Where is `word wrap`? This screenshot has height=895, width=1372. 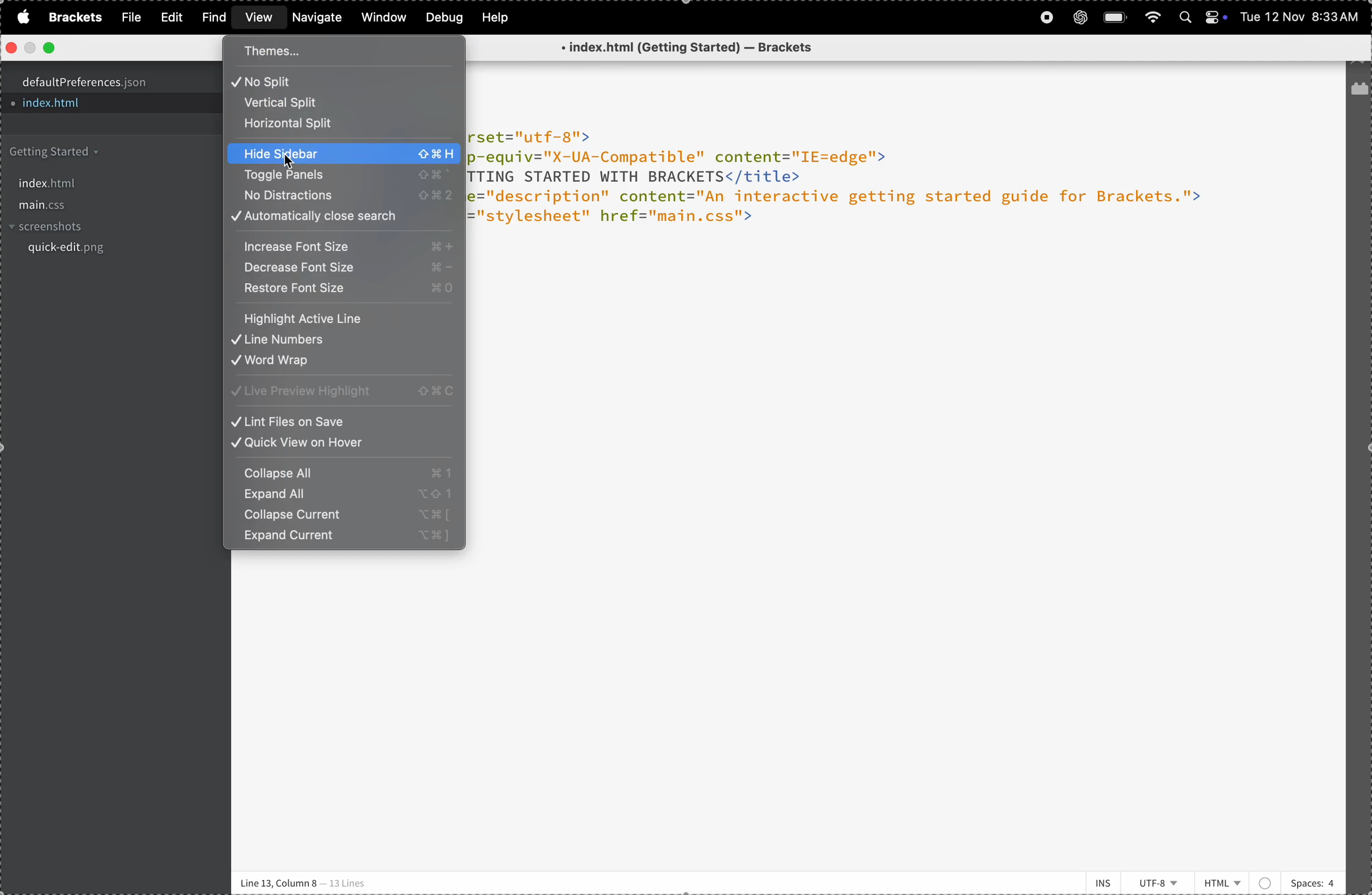
word wrap is located at coordinates (346, 363).